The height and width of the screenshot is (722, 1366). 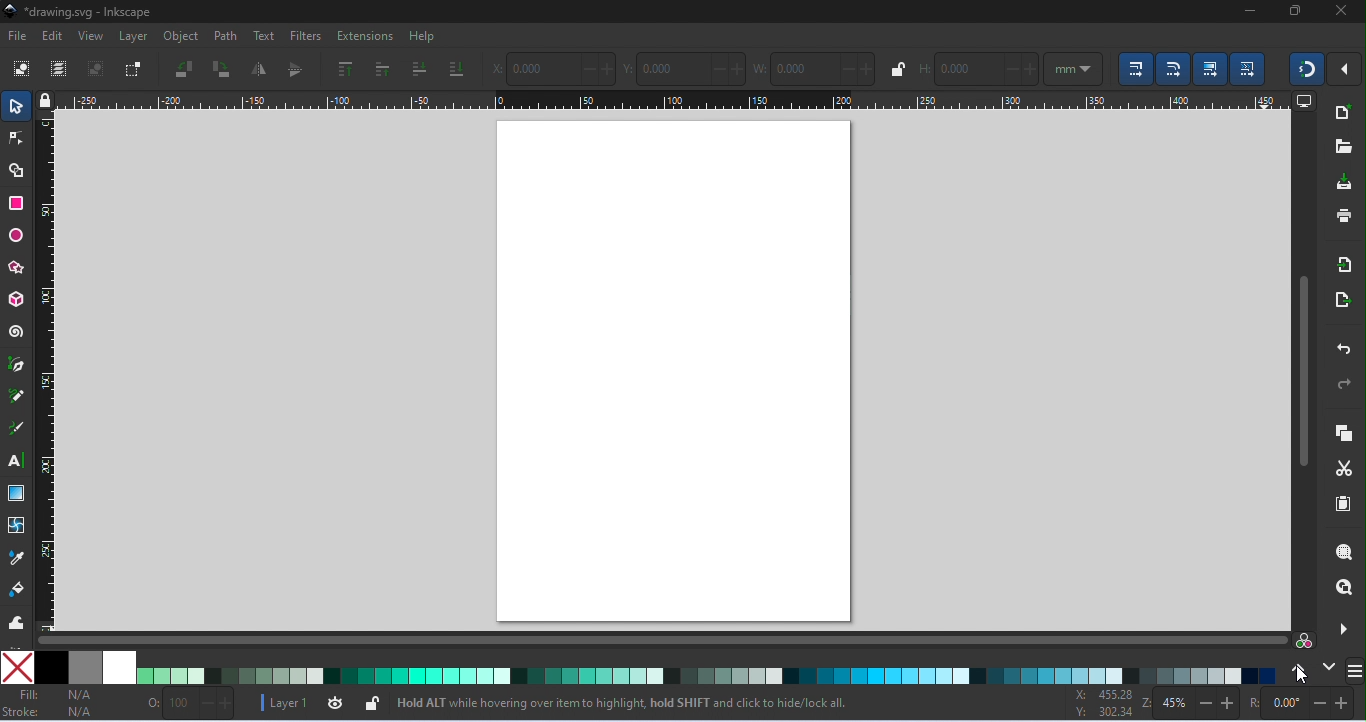 What do you see at coordinates (1342, 114) in the screenshot?
I see `new` at bounding box center [1342, 114].